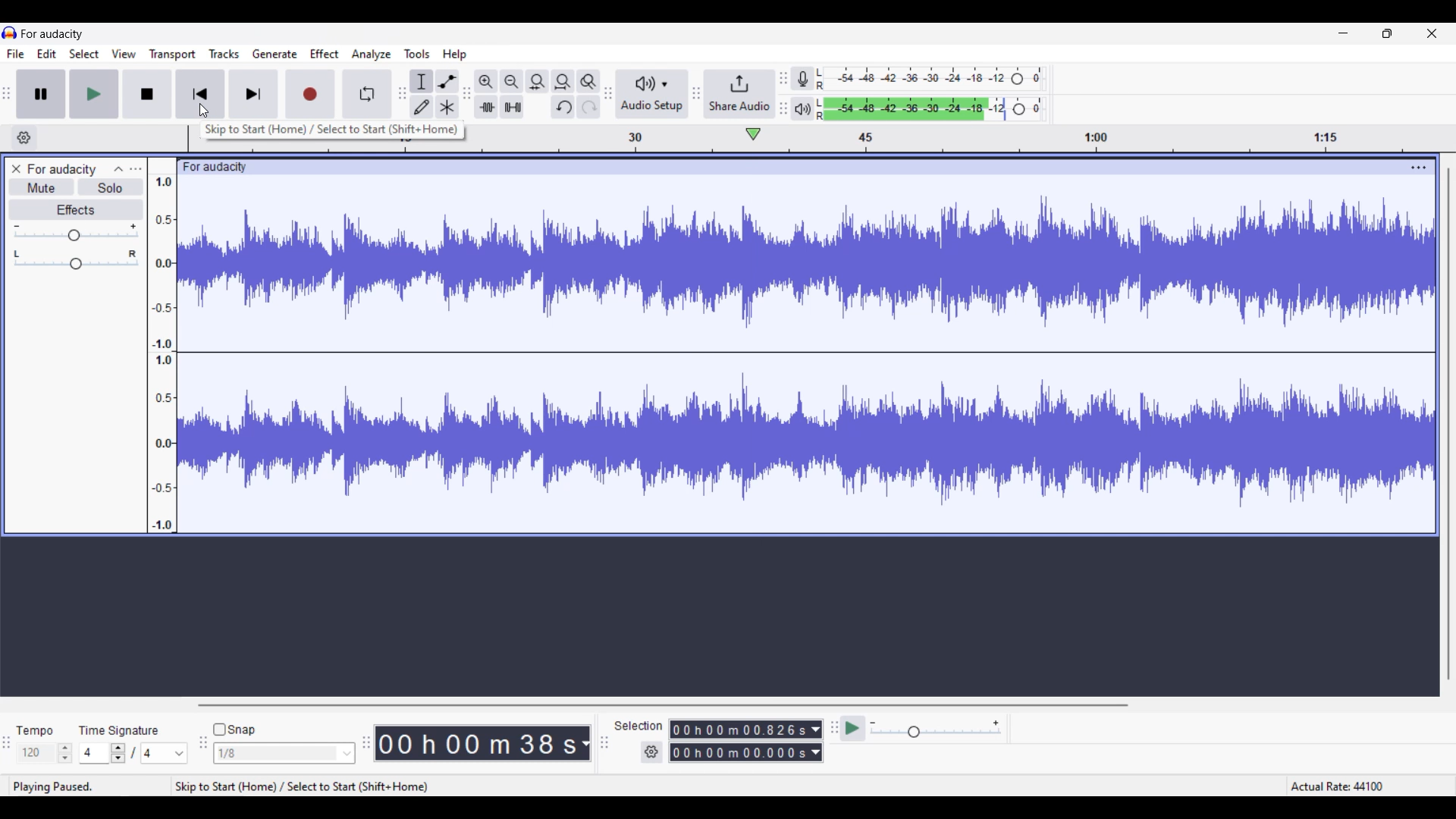 Image resolution: width=1456 pixels, height=819 pixels. Describe the element at coordinates (118, 730) in the screenshot. I see `Indicates time signature settings` at that location.